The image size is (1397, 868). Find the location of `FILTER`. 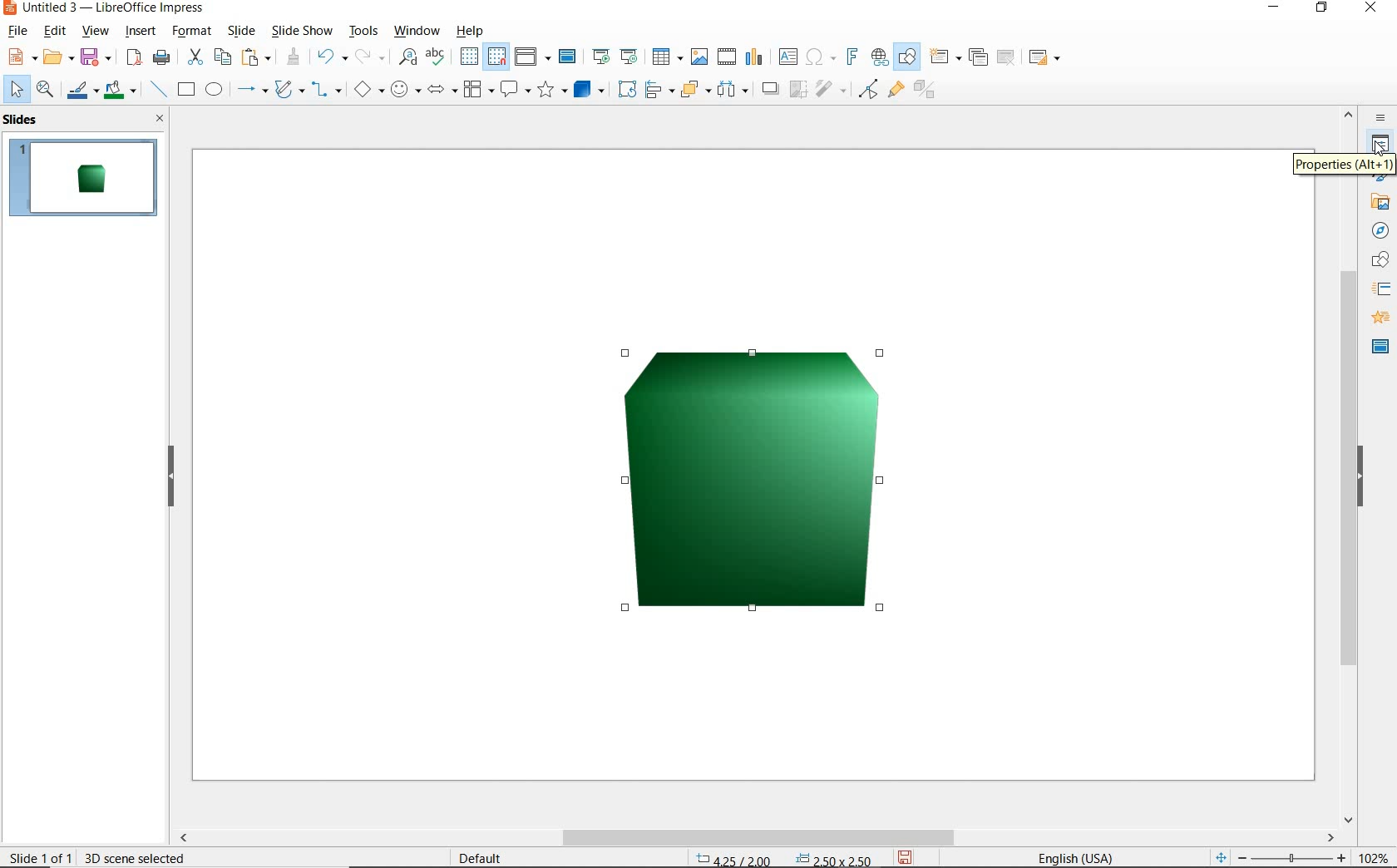

FILTER is located at coordinates (831, 91).